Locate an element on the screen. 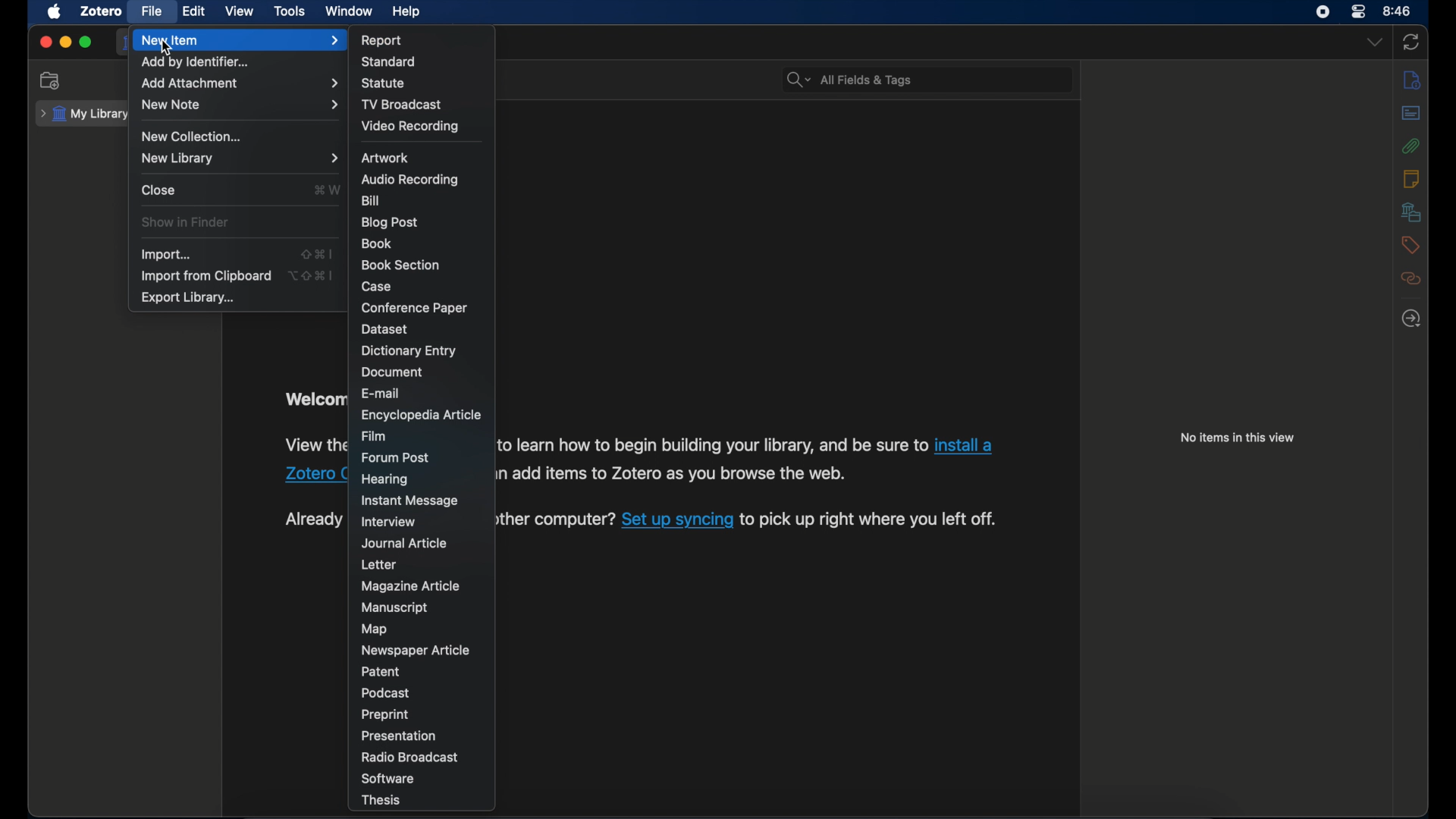 The image size is (1456, 819). import is located at coordinates (167, 255).